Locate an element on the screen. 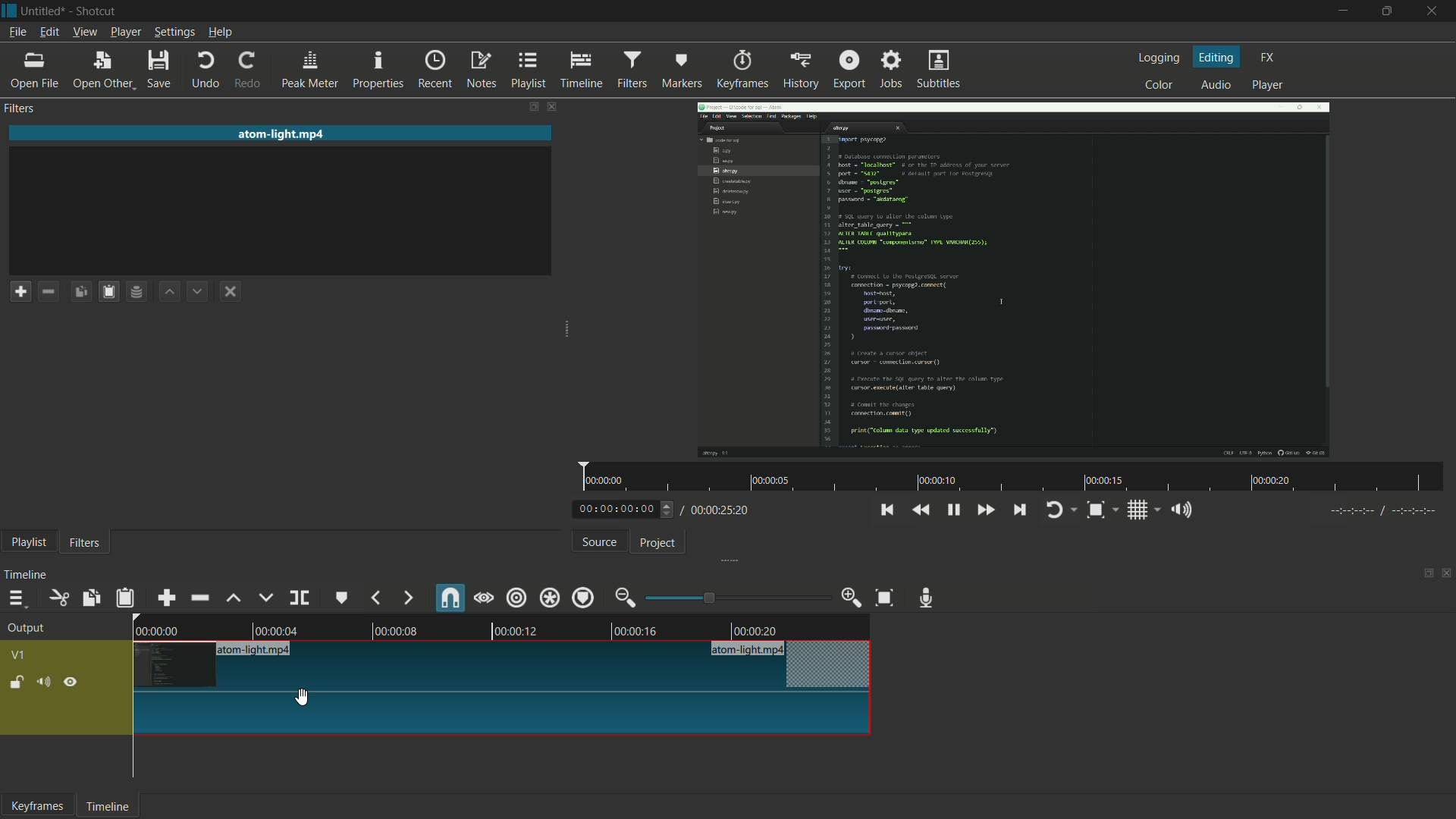 Image resolution: width=1456 pixels, height=819 pixels. video in timeline is located at coordinates (503, 676).